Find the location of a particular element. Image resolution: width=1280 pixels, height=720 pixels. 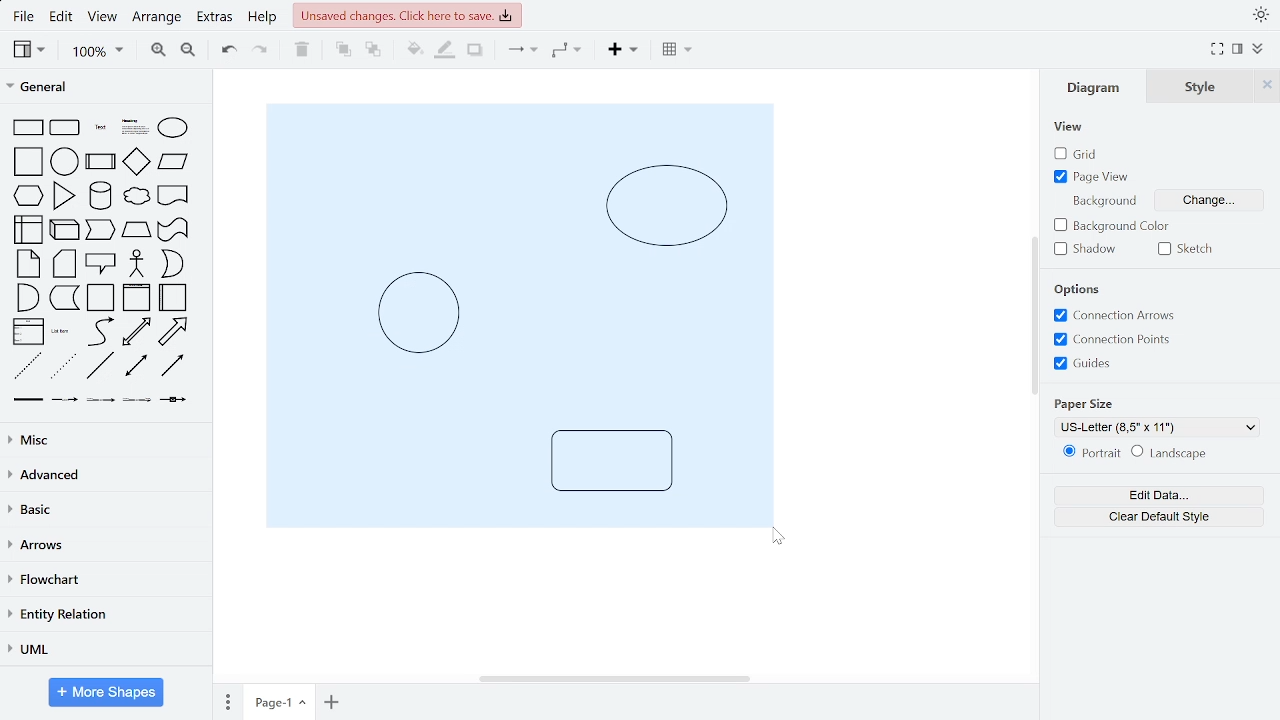

horizontal container is located at coordinates (175, 297).